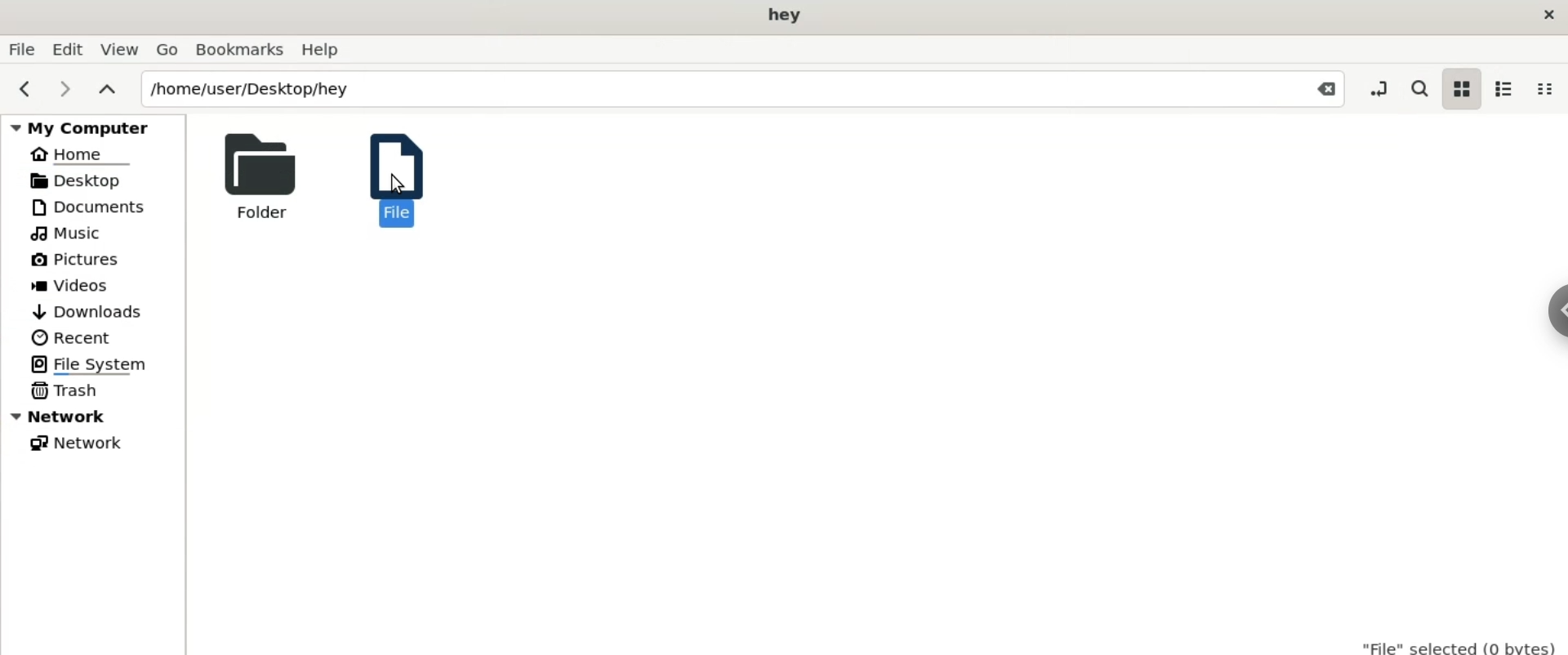  What do you see at coordinates (66, 49) in the screenshot?
I see `edit` at bounding box center [66, 49].